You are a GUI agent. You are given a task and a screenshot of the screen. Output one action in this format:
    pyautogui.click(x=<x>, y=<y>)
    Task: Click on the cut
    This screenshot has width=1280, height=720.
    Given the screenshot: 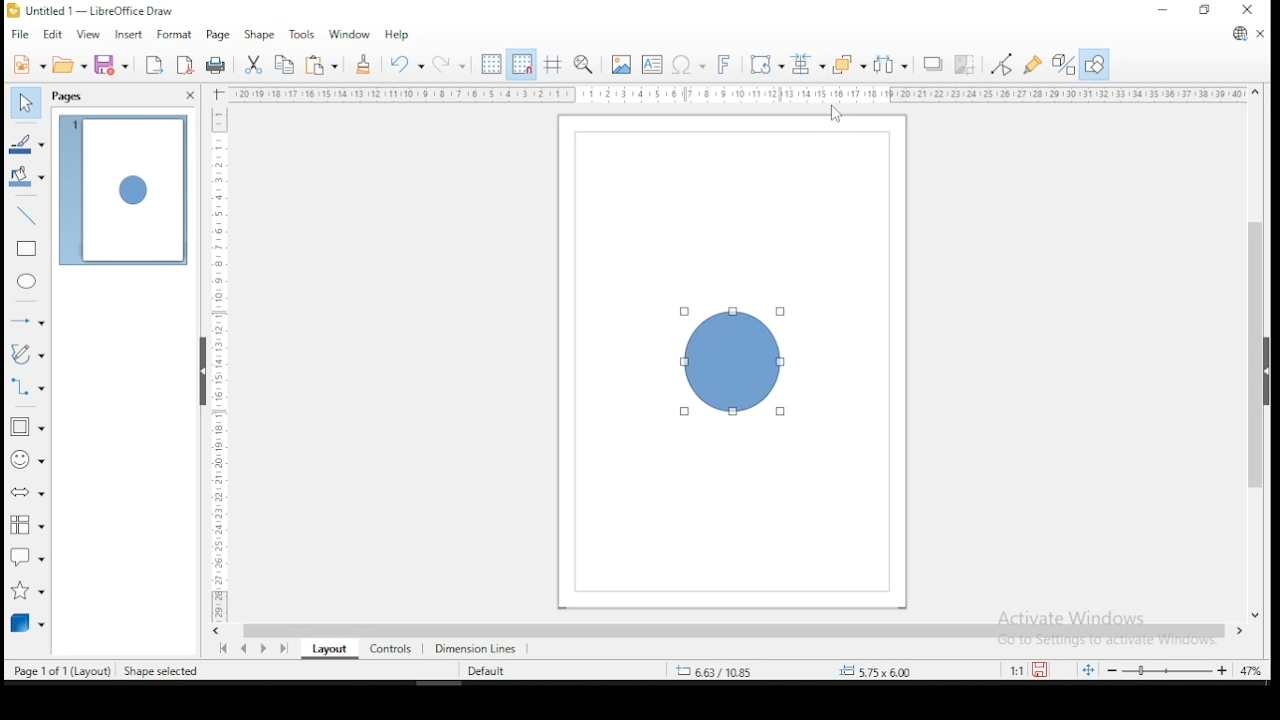 What is the action you would take?
    pyautogui.click(x=252, y=65)
    